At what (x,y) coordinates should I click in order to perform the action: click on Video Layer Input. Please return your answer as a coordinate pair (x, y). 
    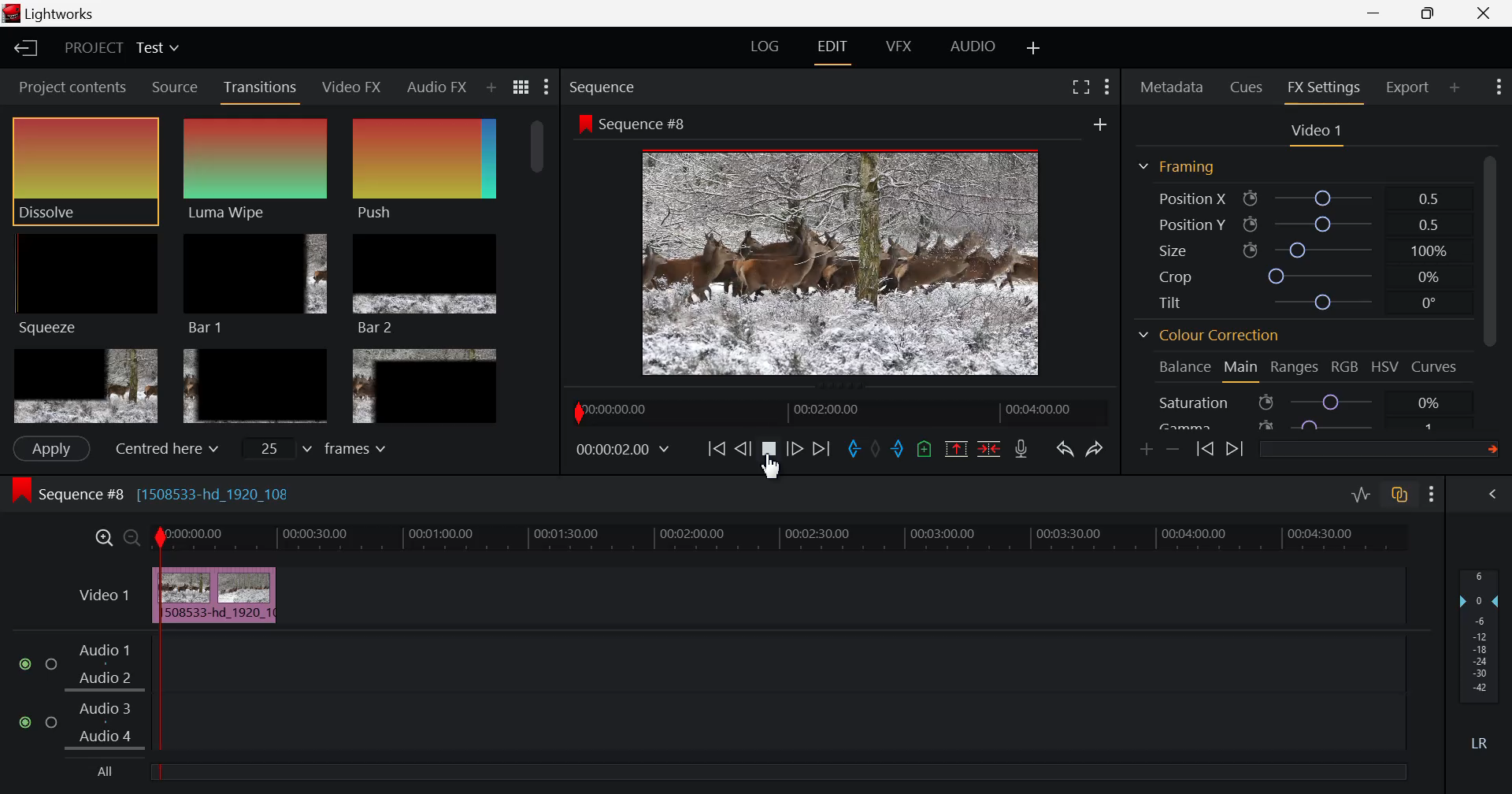
    Looking at the image, I should click on (100, 598).